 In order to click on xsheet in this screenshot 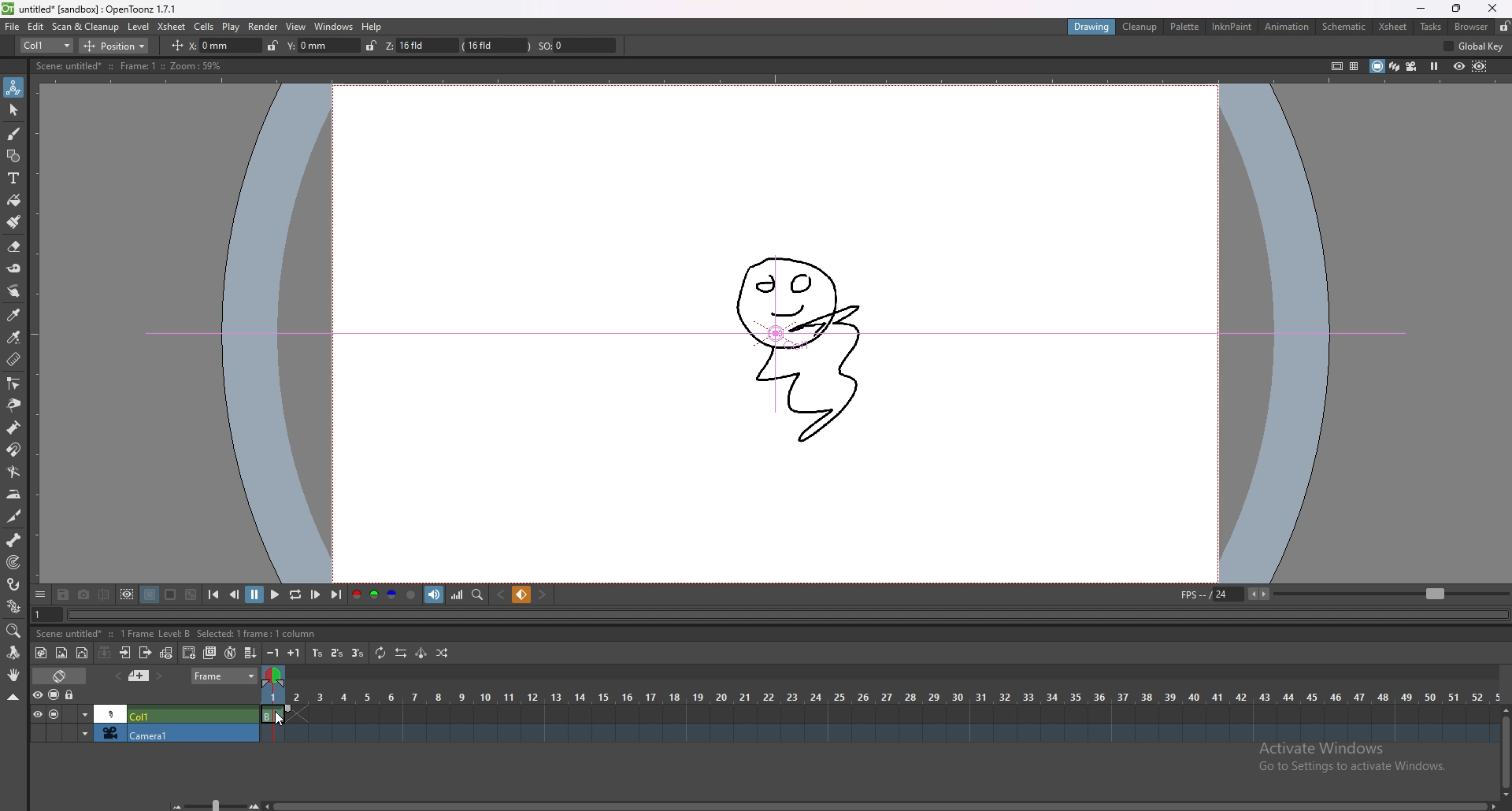, I will do `click(1394, 27)`.